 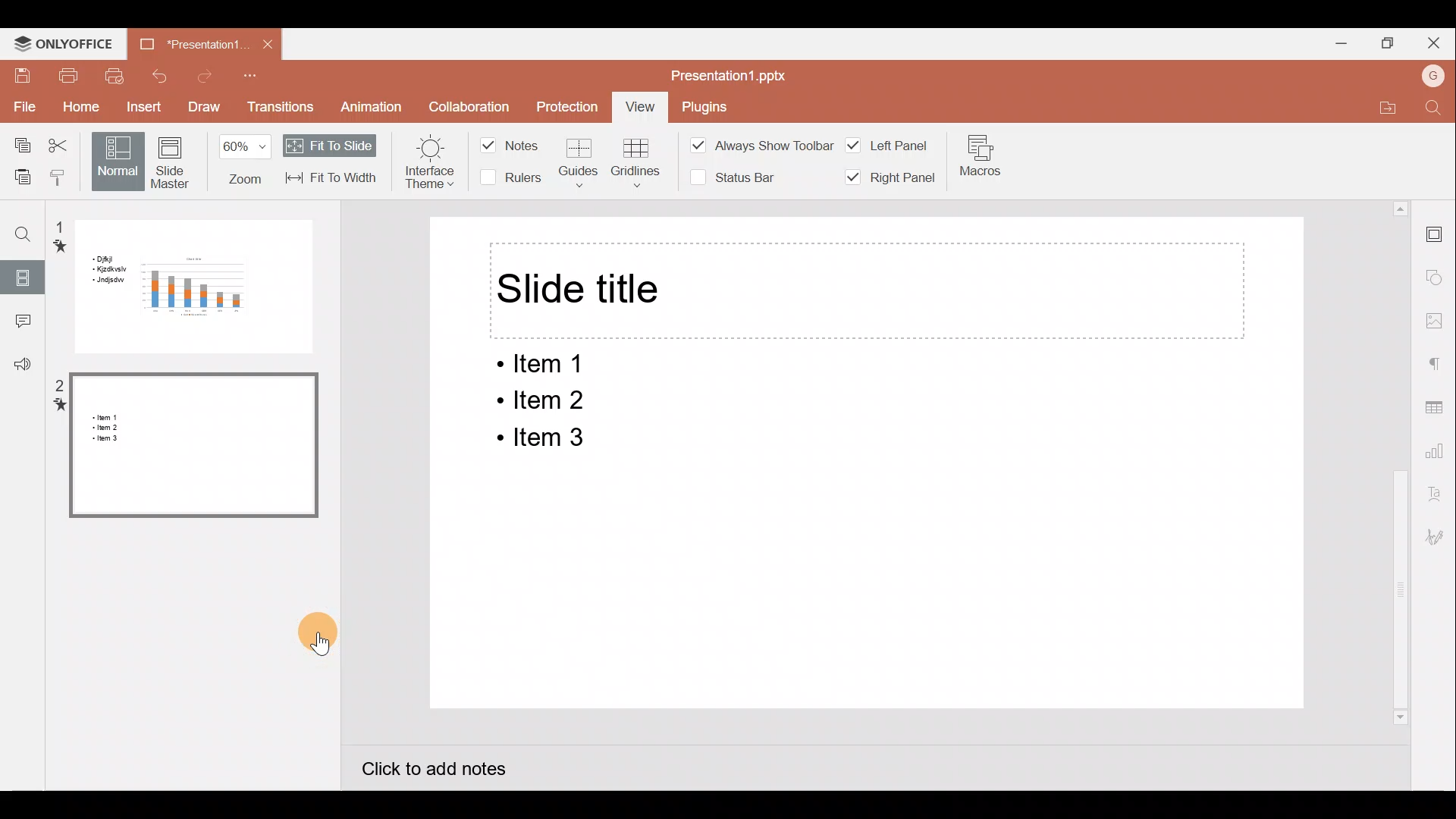 What do you see at coordinates (1330, 42) in the screenshot?
I see `Minimize` at bounding box center [1330, 42].